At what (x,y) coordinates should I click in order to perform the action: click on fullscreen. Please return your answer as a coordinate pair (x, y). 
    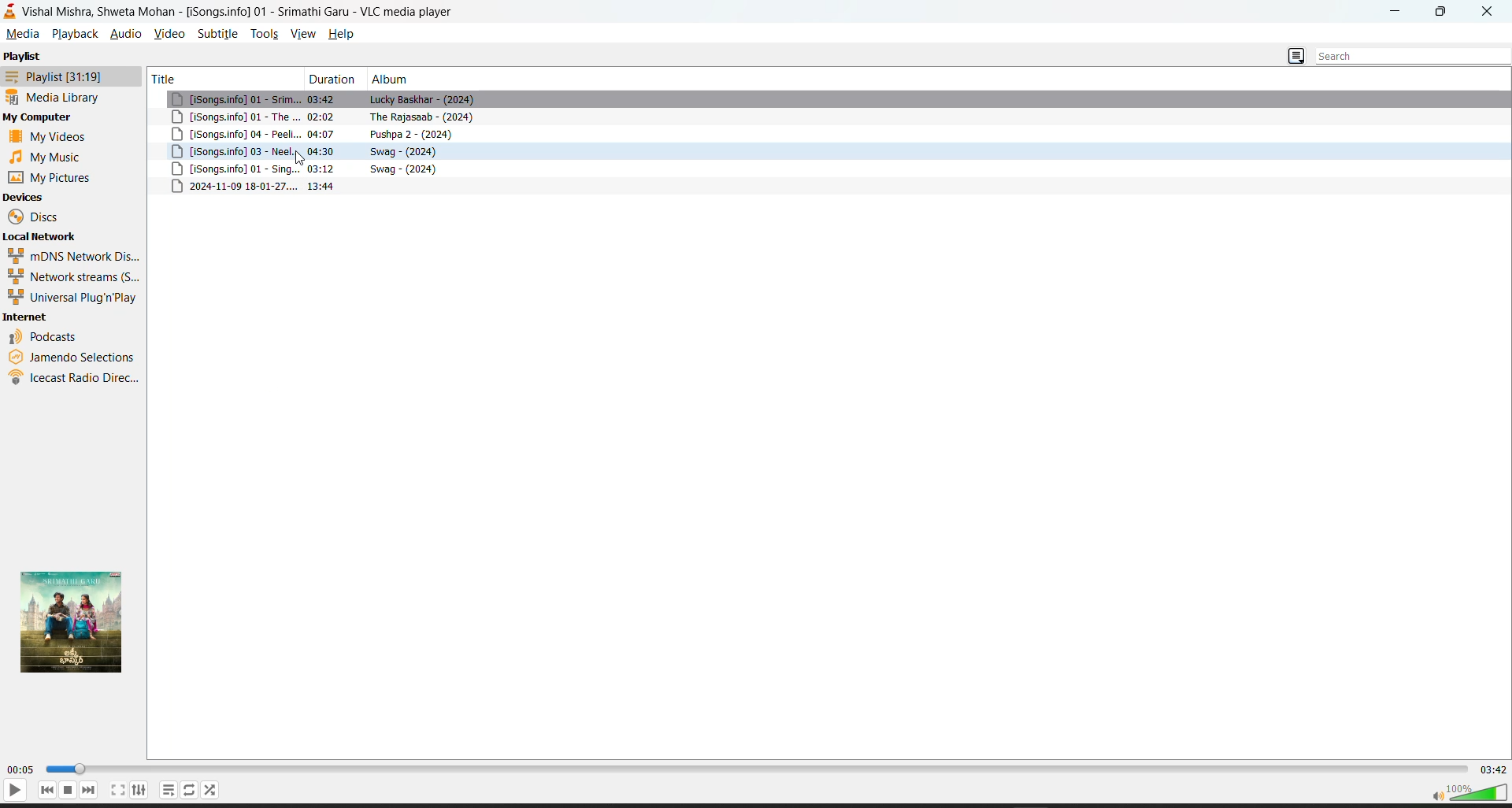
    Looking at the image, I should click on (117, 790).